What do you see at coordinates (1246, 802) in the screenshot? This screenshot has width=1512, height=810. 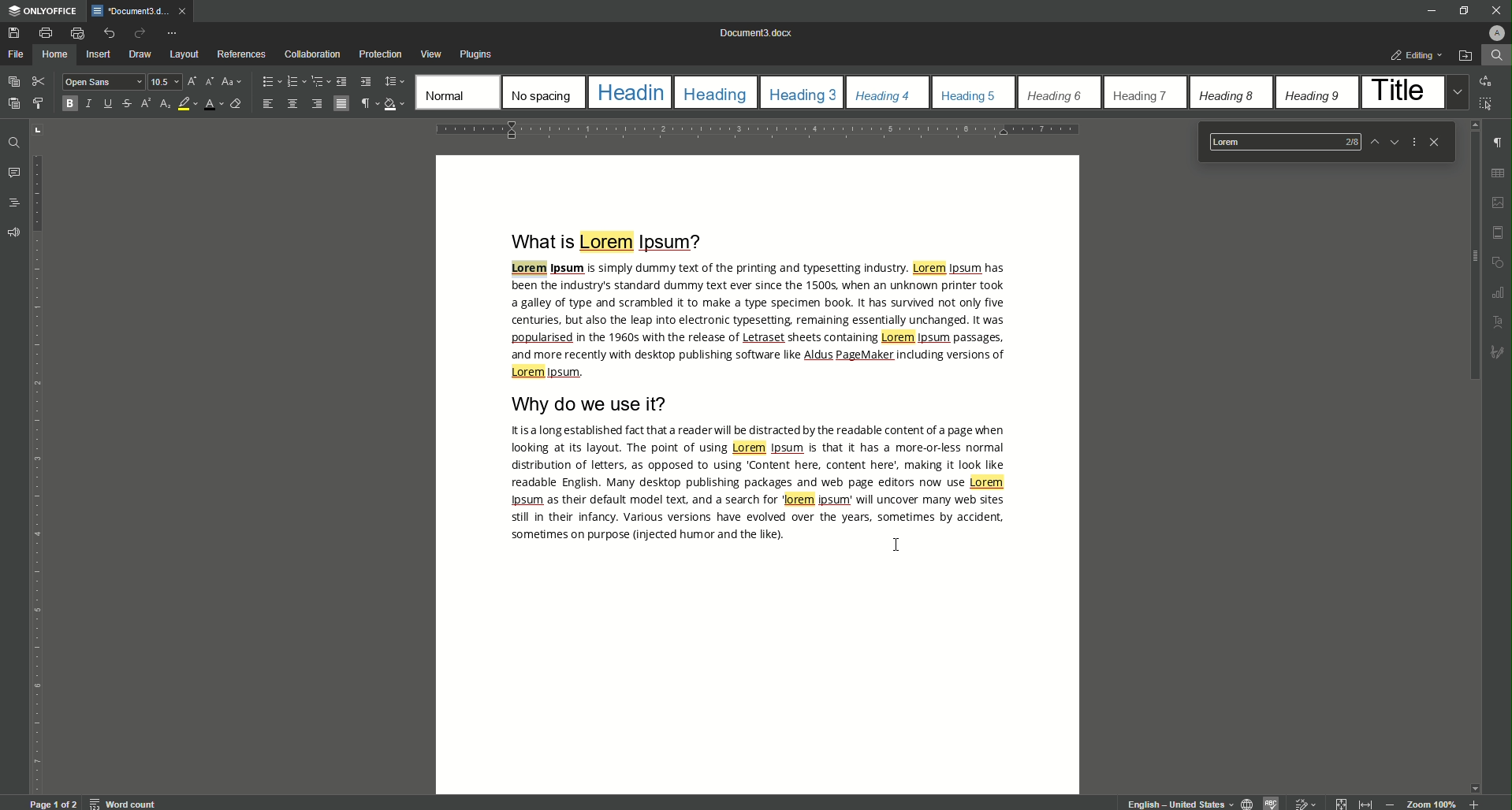 I see `globe` at bounding box center [1246, 802].